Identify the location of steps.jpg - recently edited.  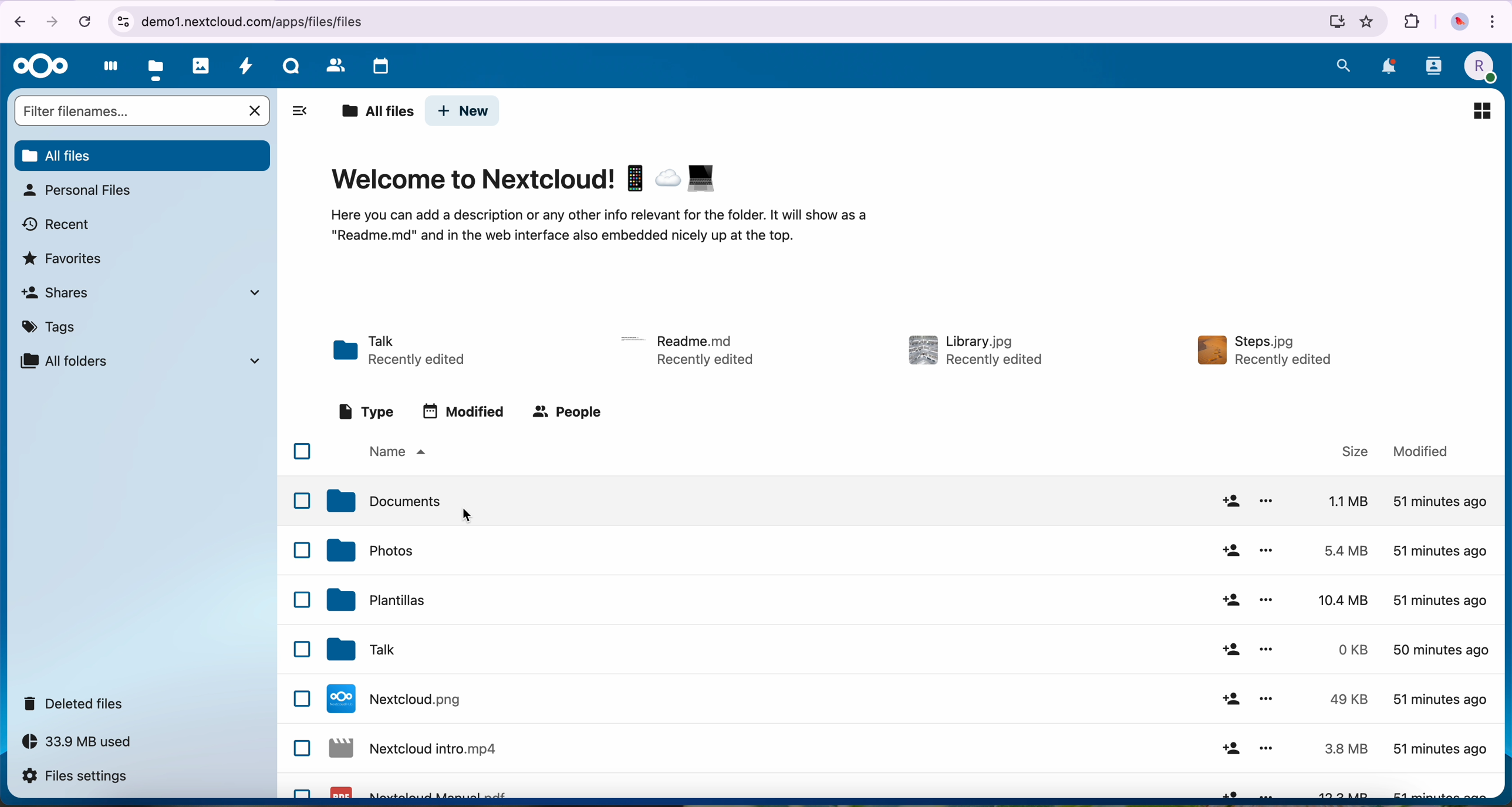
(1268, 351).